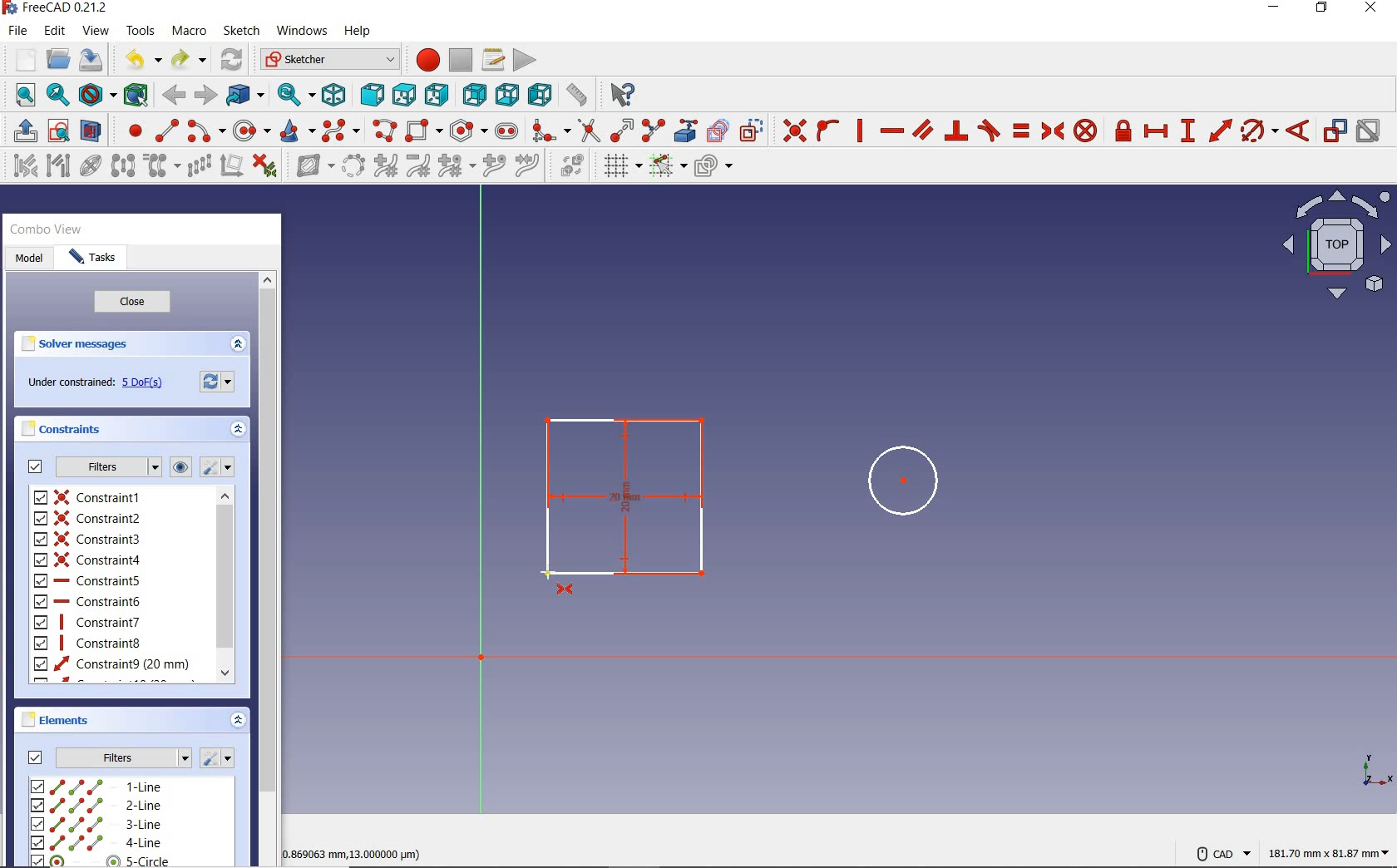 The height and width of the screenshot is (868, 1397). I want to click on stop macro recording, so click(462, 59).